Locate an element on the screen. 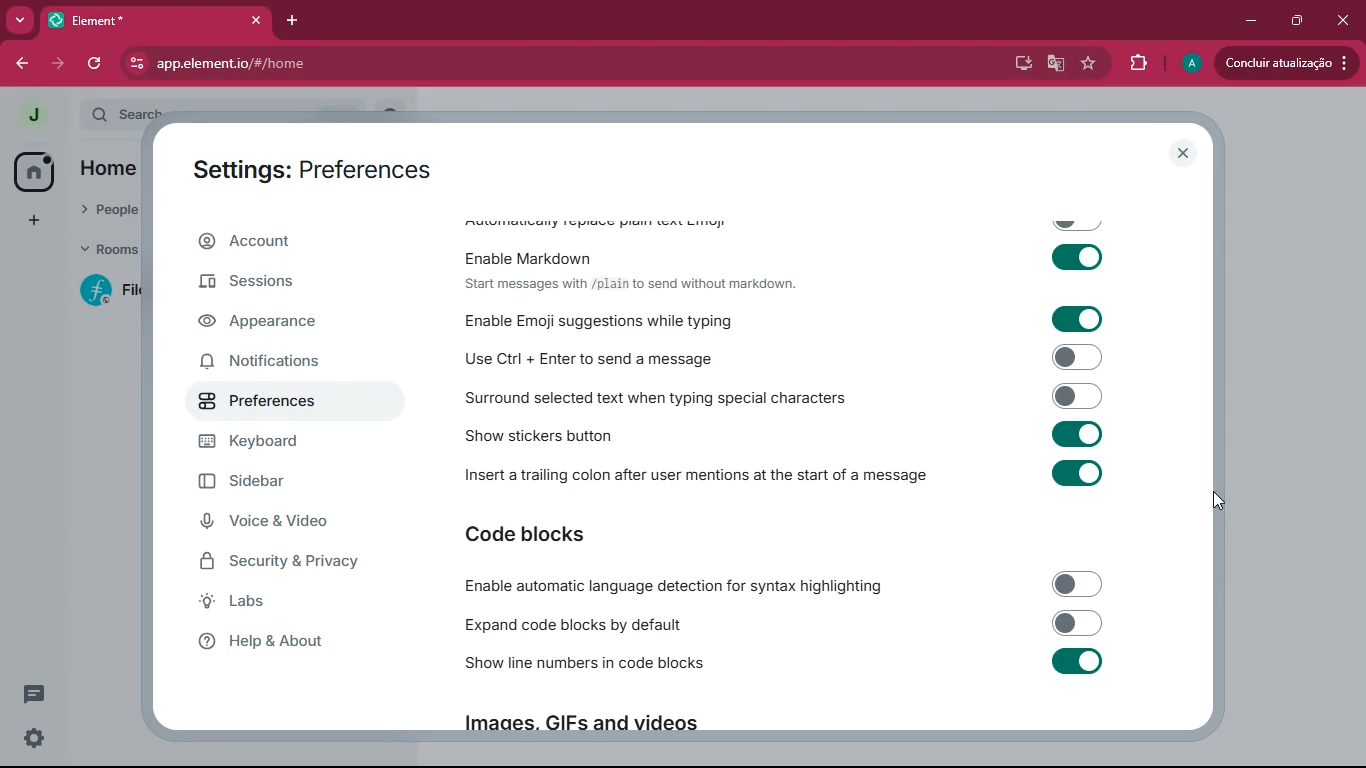 The height and width of the screenshot is (768, 1366). notifications is located at coordinates (285, 365).